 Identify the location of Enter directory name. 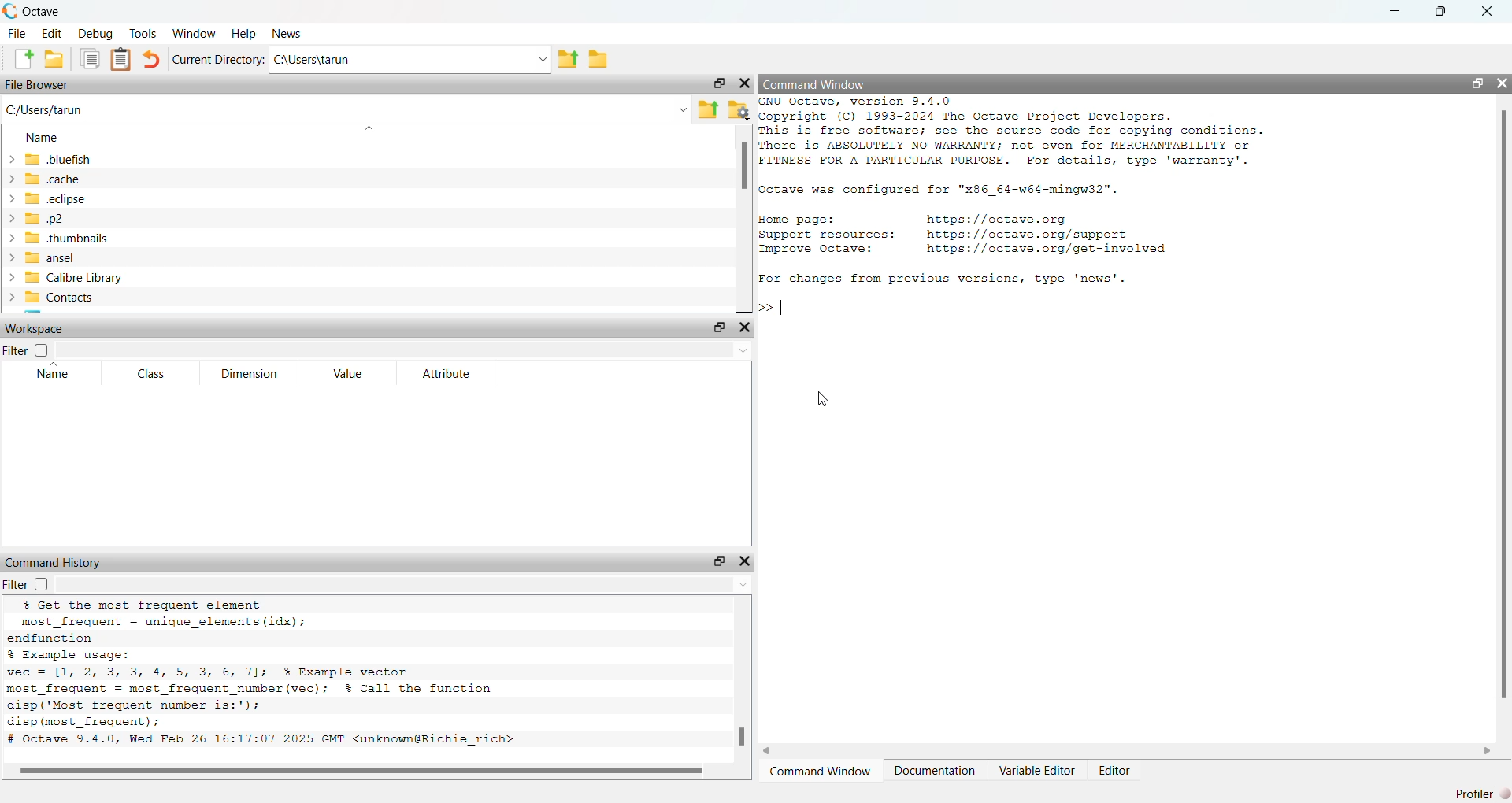
(542, 57).